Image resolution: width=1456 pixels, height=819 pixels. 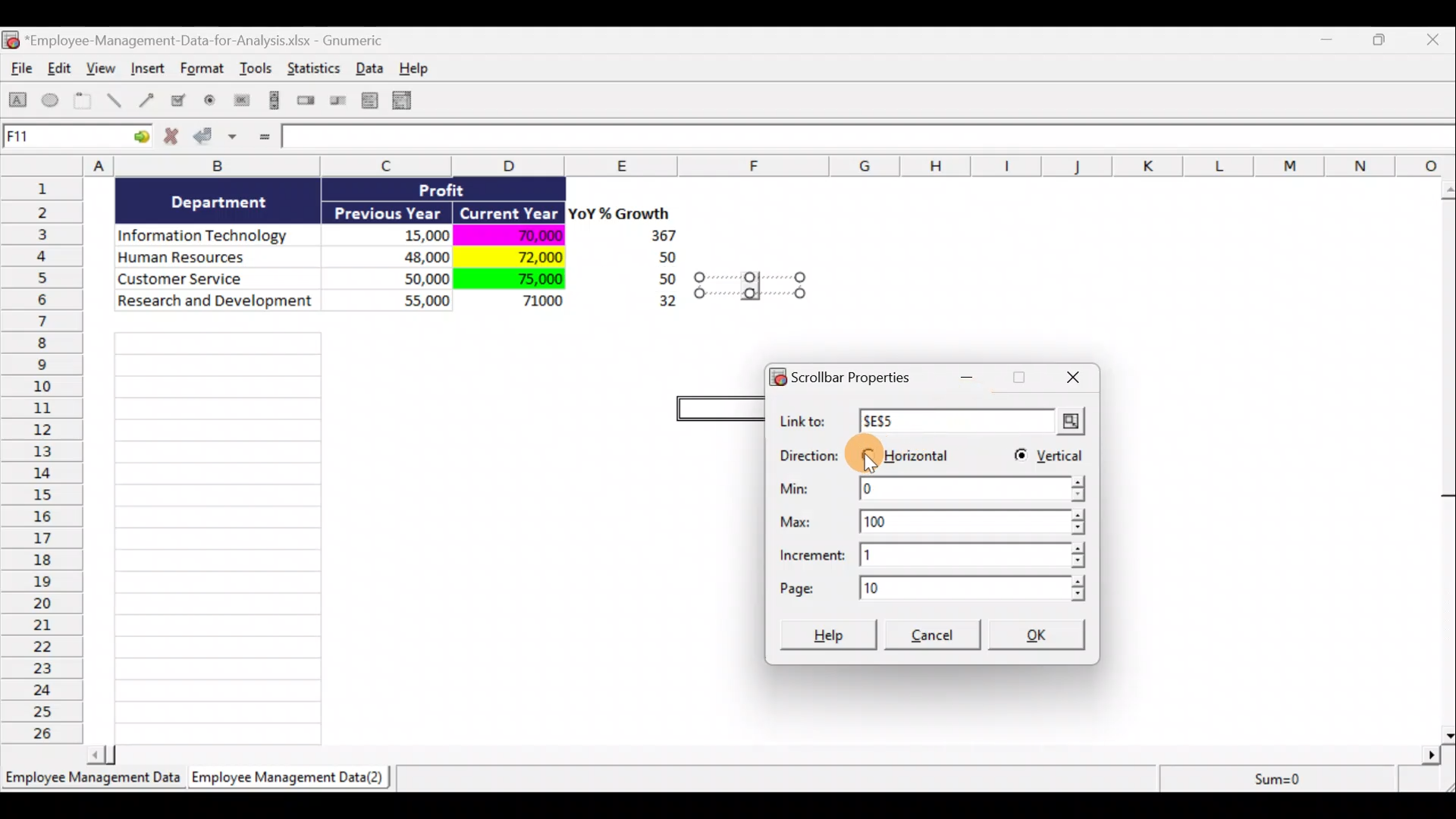 What do you see at coordinates (117, 101) in the screenshot?
I see `Create a line object` at bounding box center [117, 101].